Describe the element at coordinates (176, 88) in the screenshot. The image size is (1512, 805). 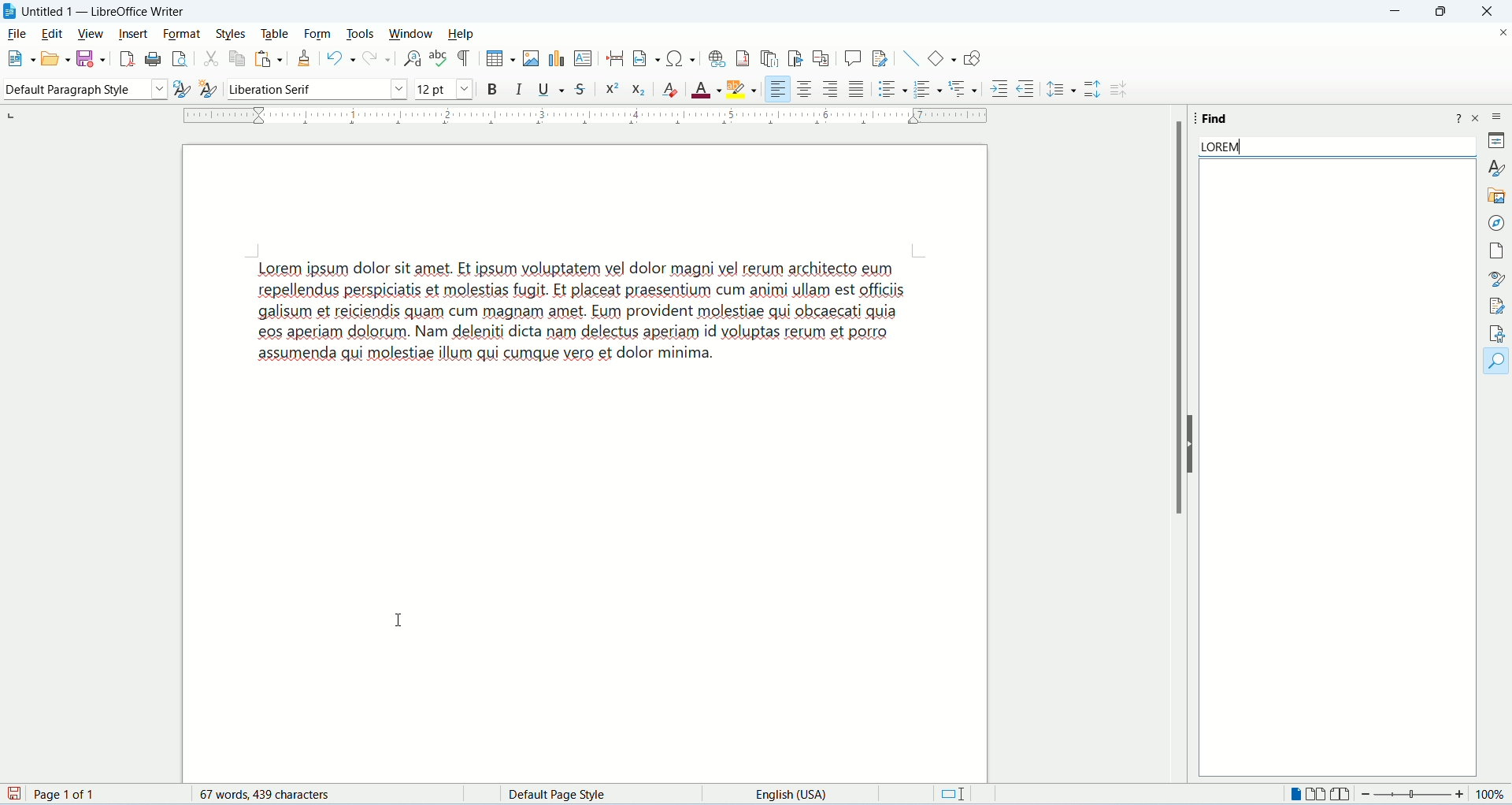
I see `update selected style` at that location.